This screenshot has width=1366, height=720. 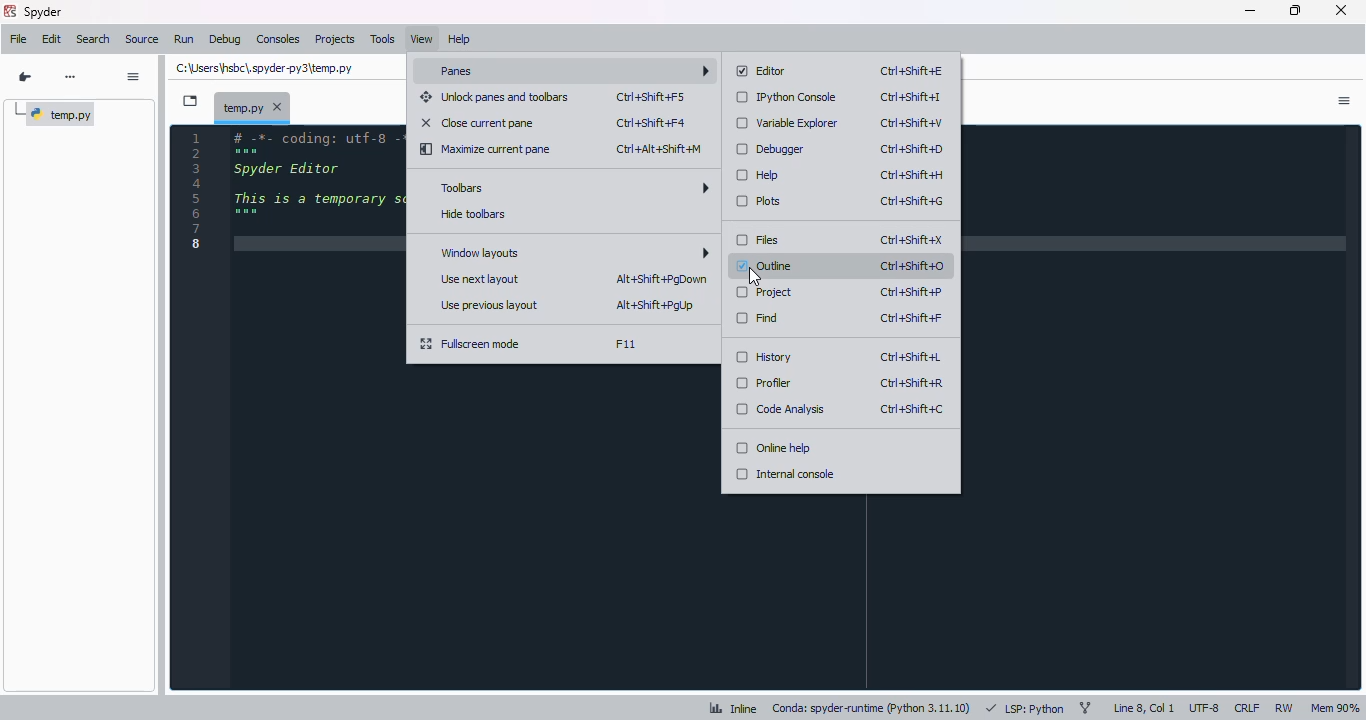 I want to click on maximize current pane, so click(x=485, y=149).